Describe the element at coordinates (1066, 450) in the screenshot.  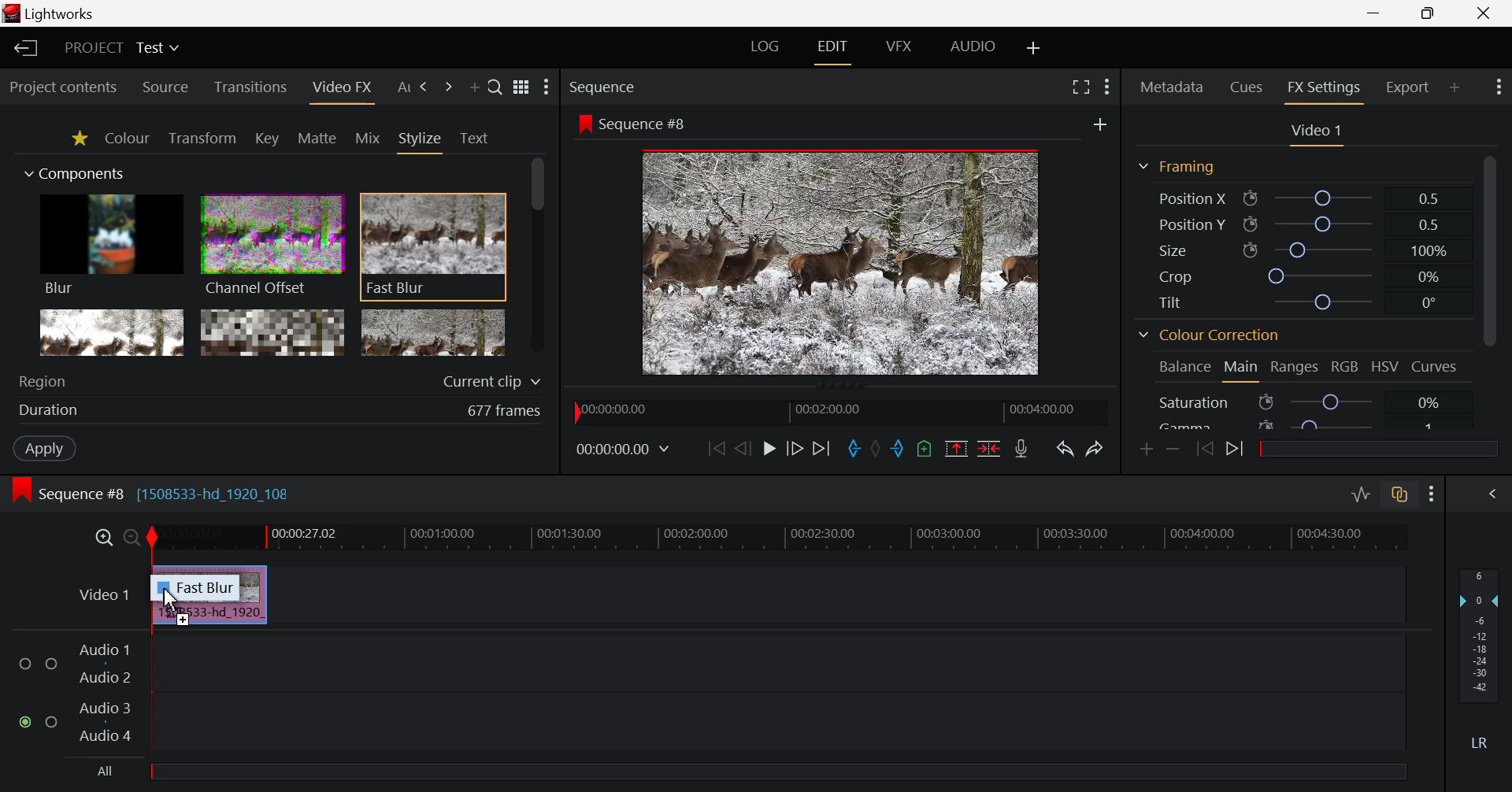
I see `Undo` at that location.